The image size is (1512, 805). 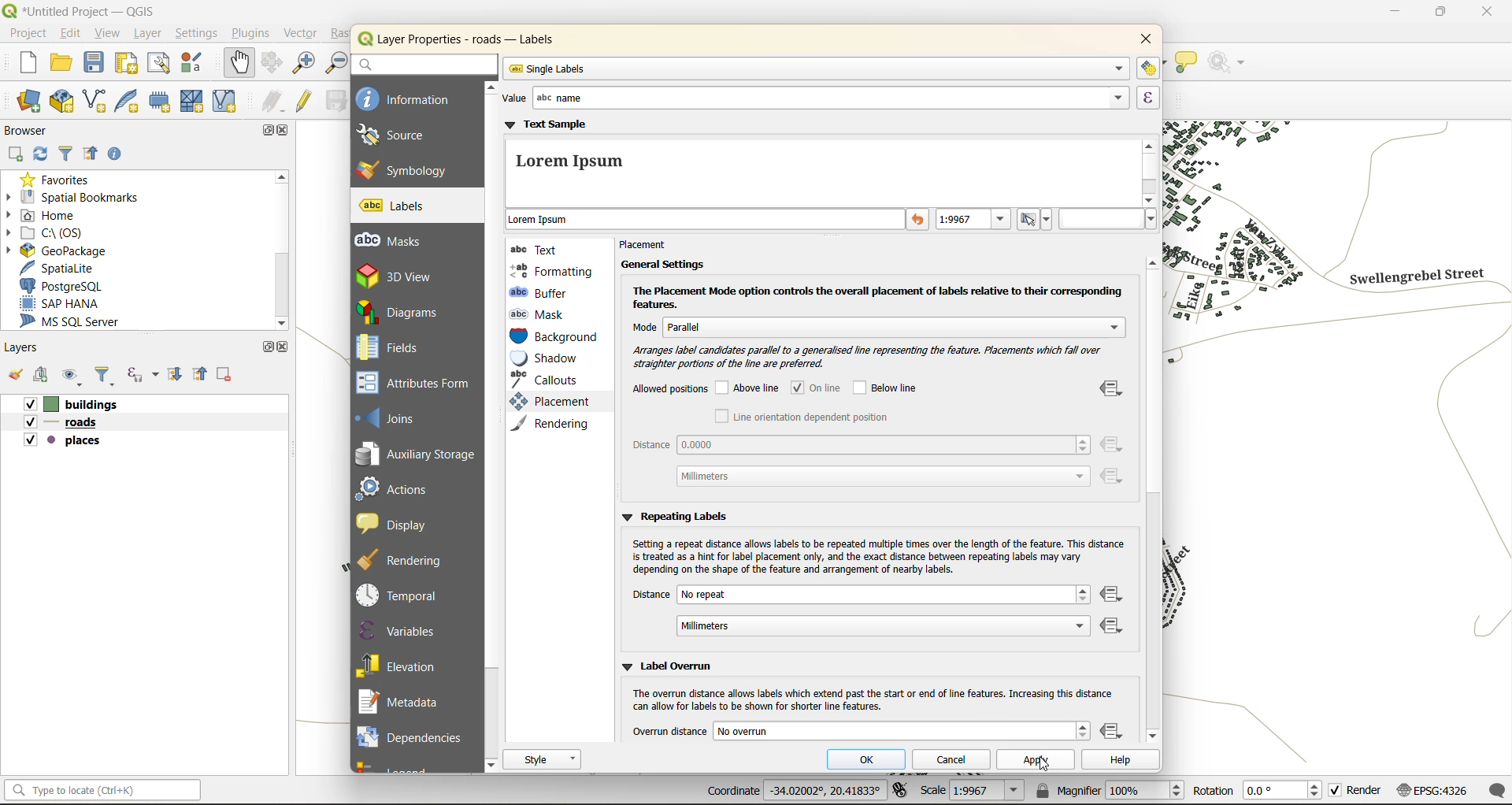 I want to click on dependencies, so click(x=410, y=735).